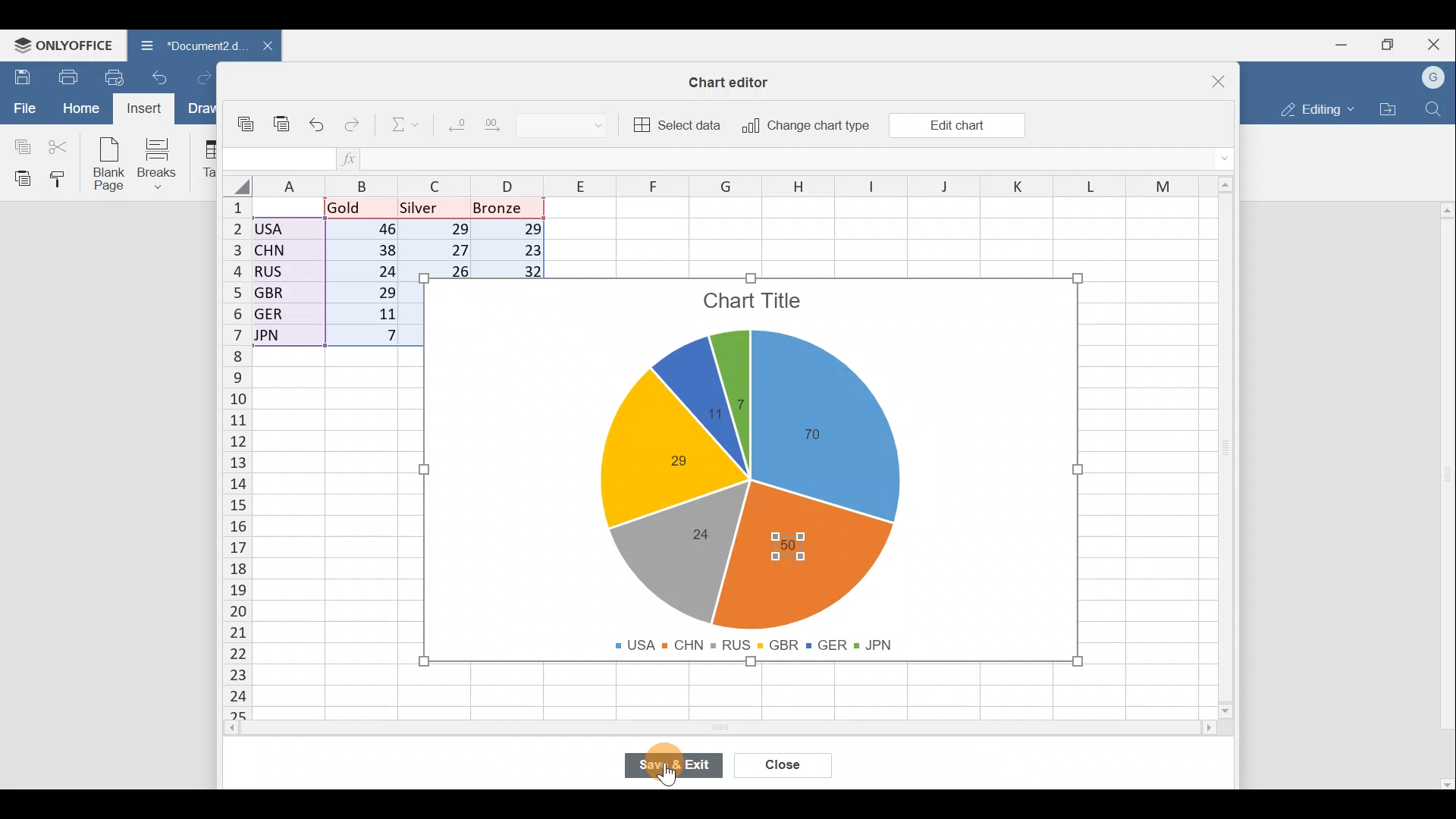 The height and width of the screenshot is (819, 1456). What do you see at coordinates (699, 532) in the screenshot?
I see `Chart label` at bounding box center [699, 532].